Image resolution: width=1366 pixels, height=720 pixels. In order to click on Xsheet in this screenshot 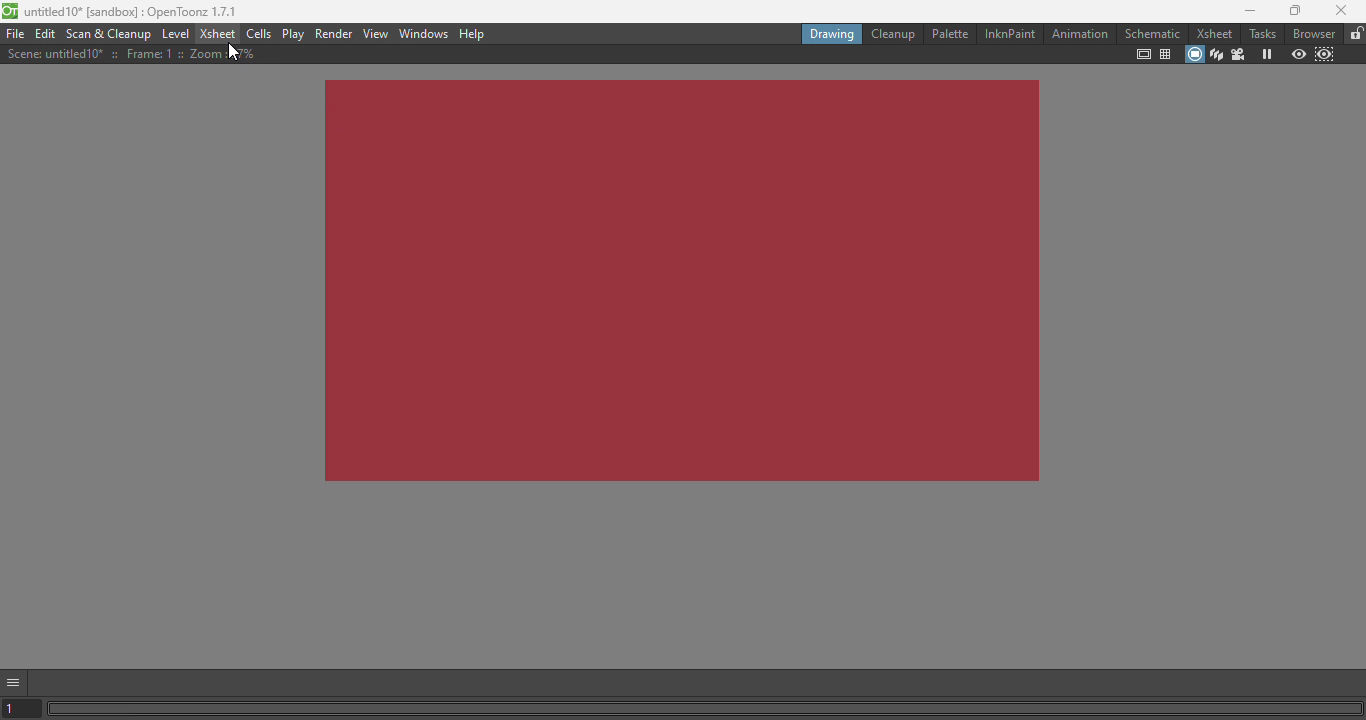, I will do `click(1212, 33)`.